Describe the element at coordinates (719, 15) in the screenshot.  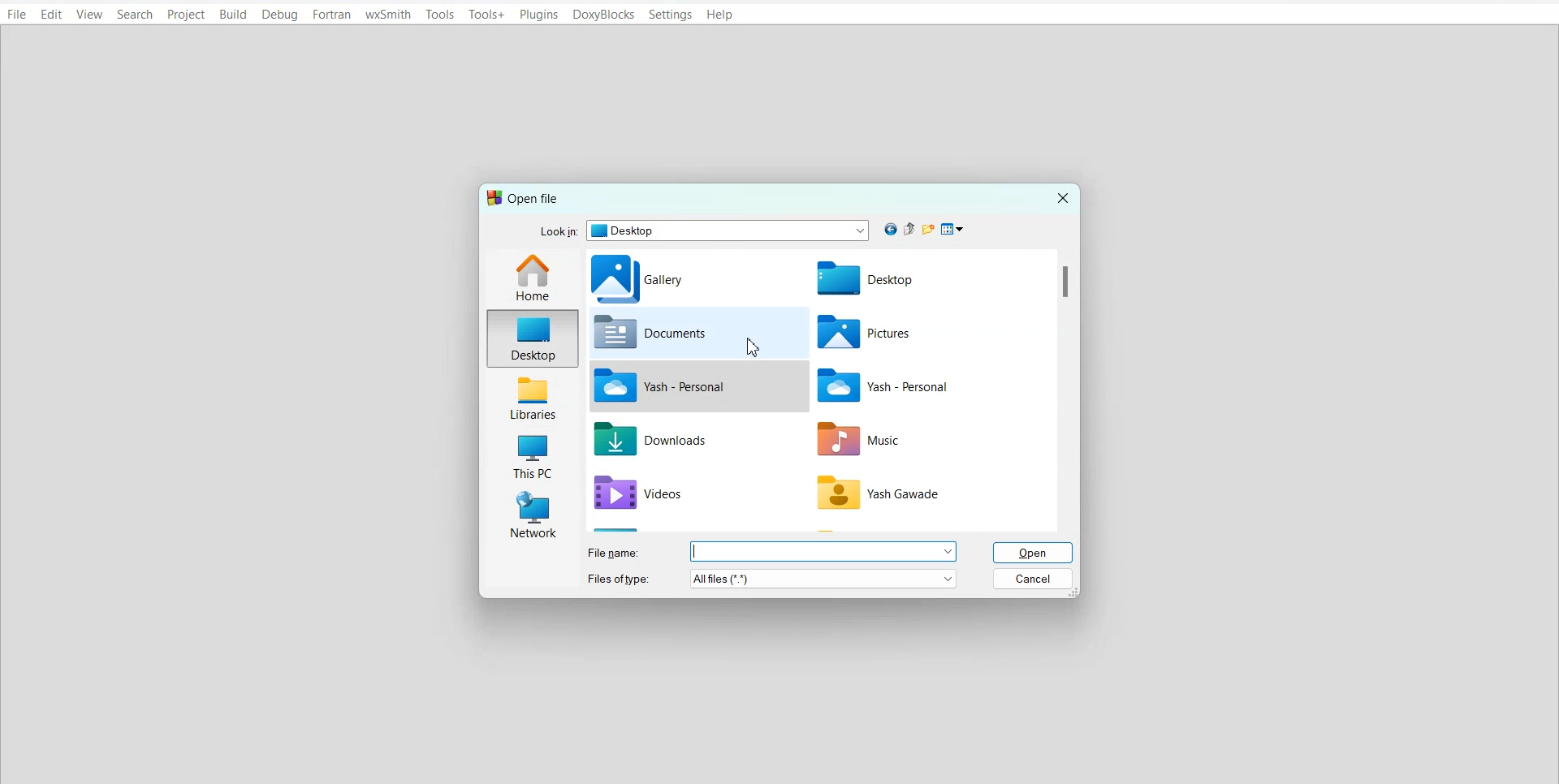
I see `Help` at that location.